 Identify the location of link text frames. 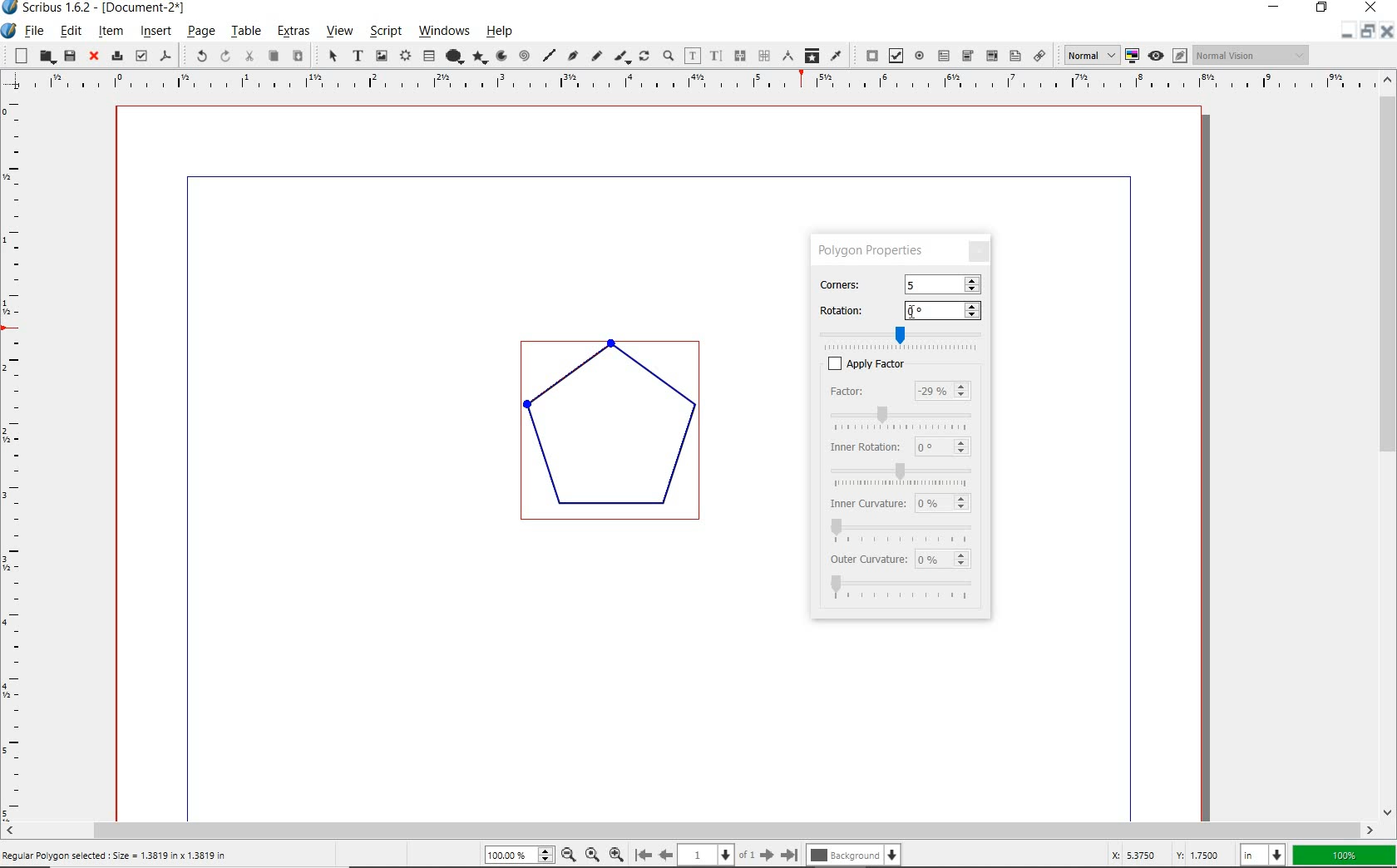
(739, 56).